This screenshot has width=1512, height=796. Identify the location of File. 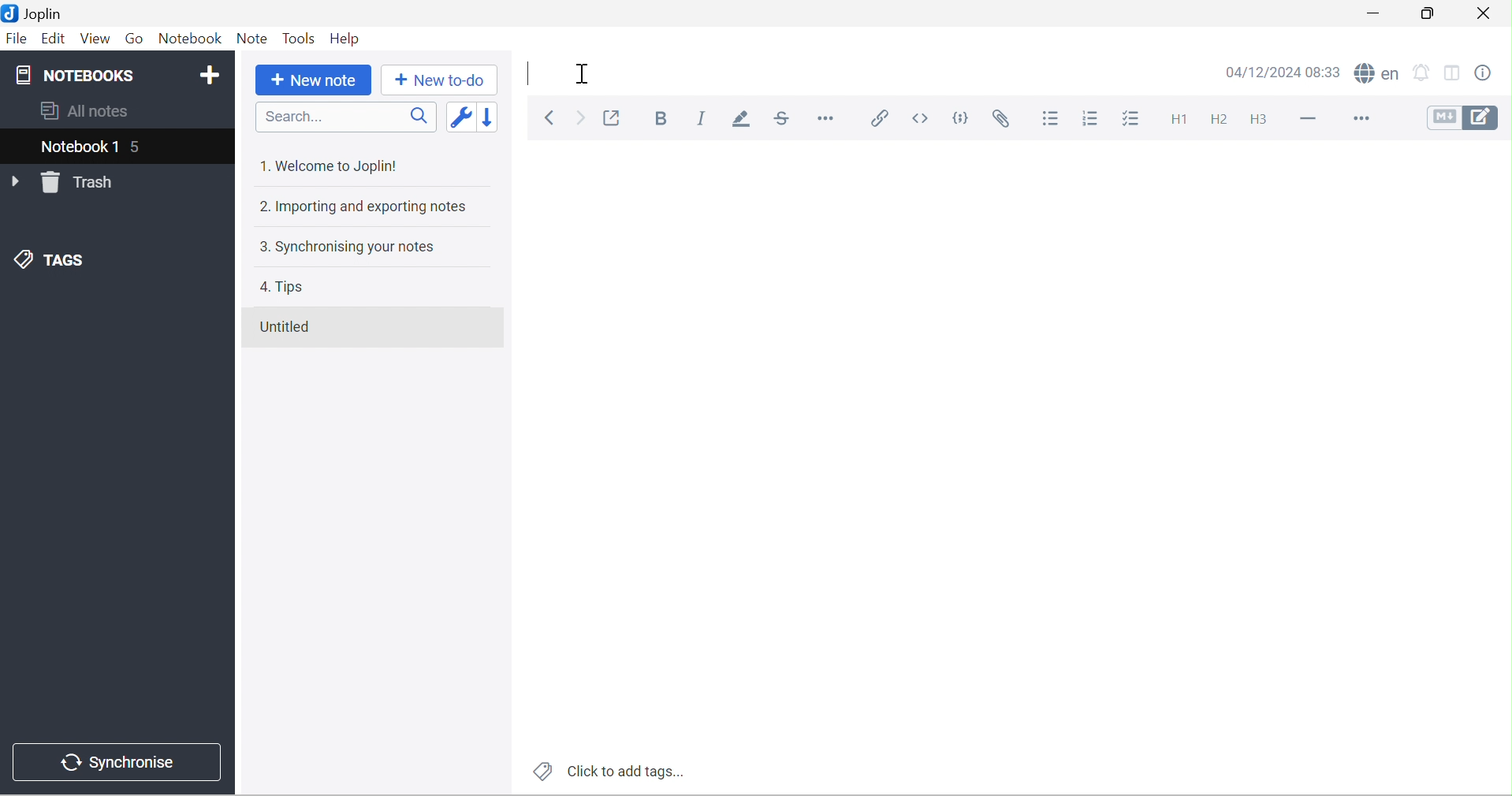
(17, 38).